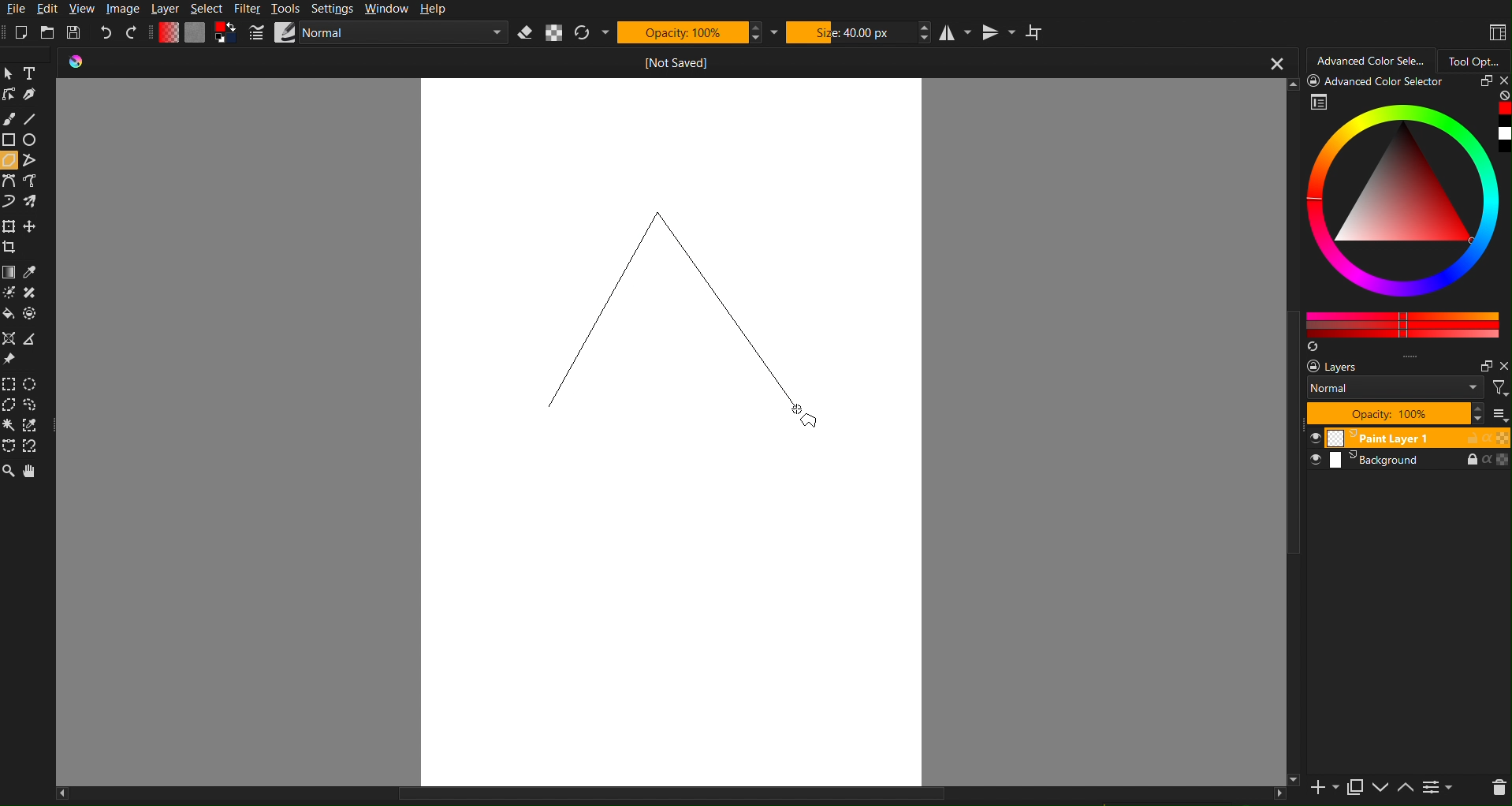  Describe the element at coordinates (196, 32) in the screenshot. I see `Color Settings` at that location.